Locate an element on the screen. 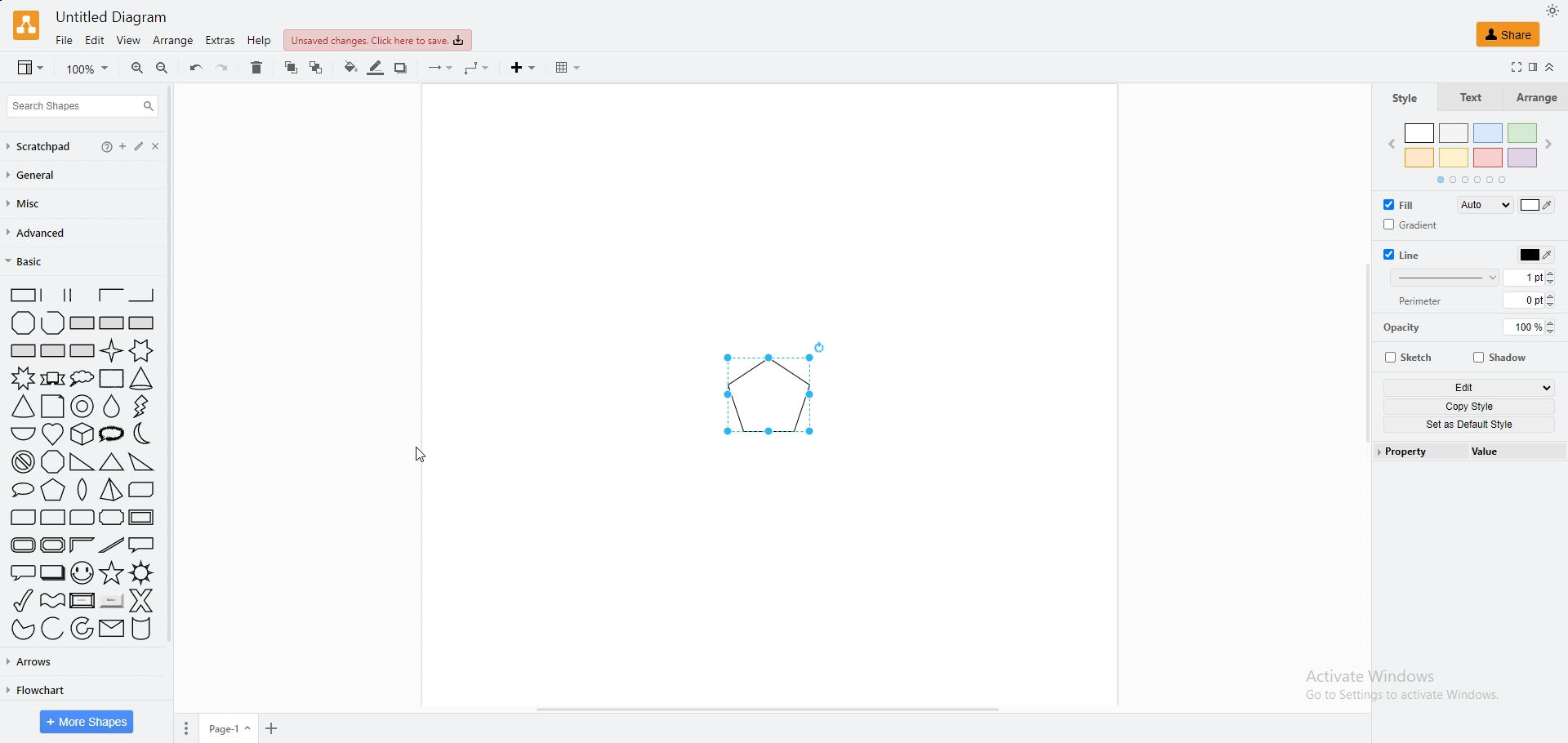 This screenshot has height=743, width=1568. gradient is located at coordinates (1410, 225).